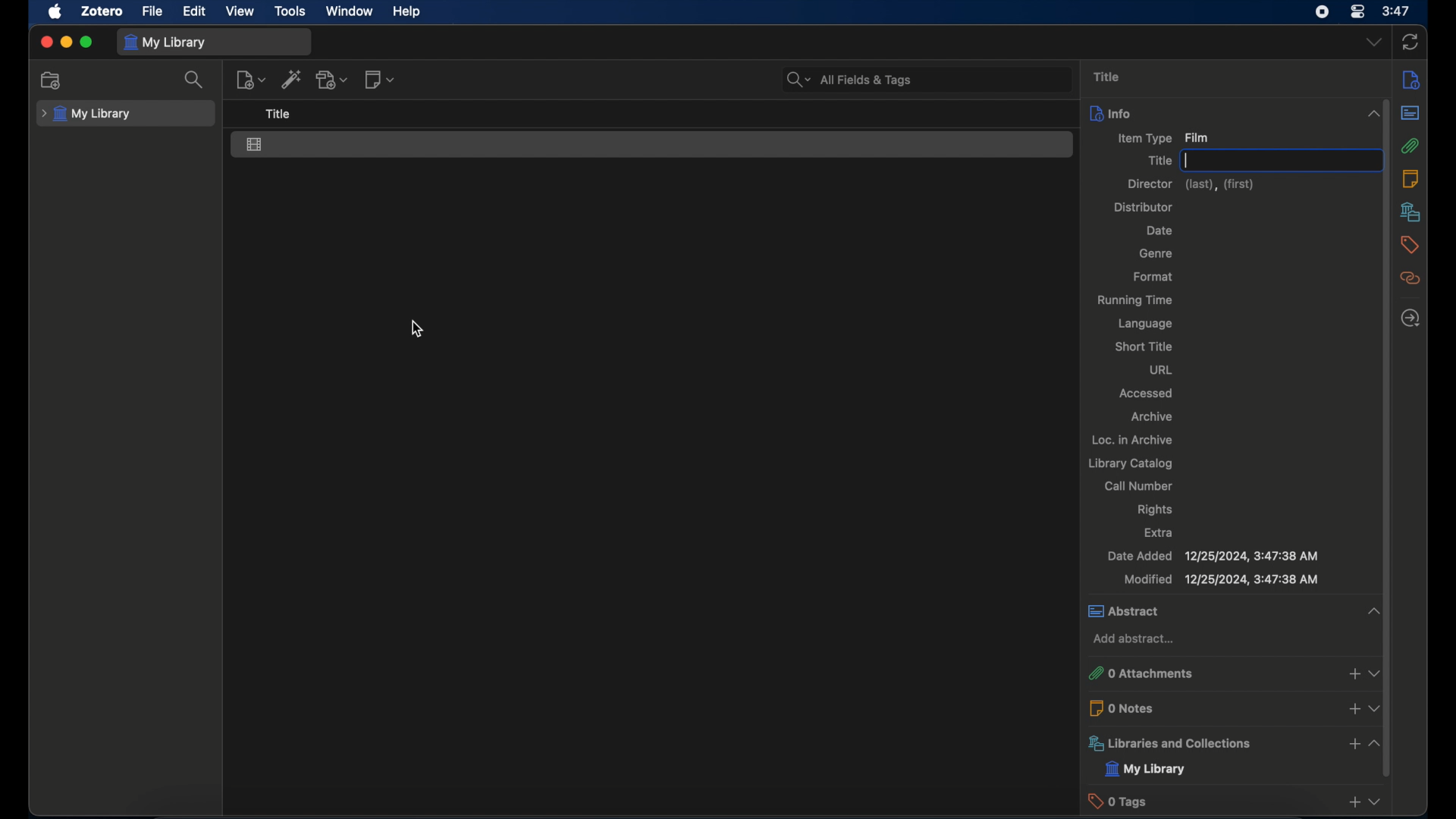  Describe the element at coordinates (249, 80) in the screenshot. I see `new item` at that location.